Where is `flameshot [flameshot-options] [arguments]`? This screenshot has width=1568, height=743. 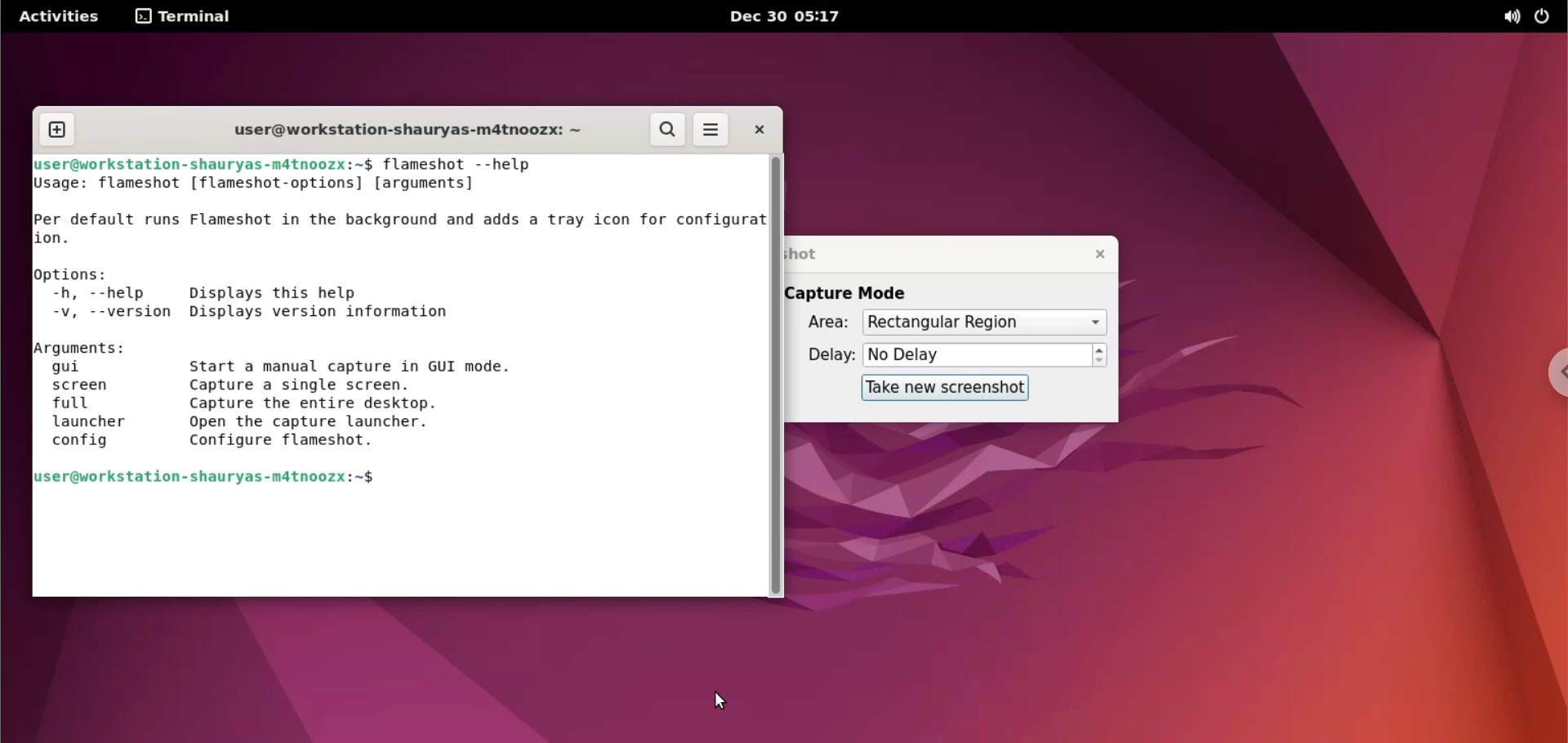 flameshot [flameshot-options] [arguments] is located at coordinates (291, 182).